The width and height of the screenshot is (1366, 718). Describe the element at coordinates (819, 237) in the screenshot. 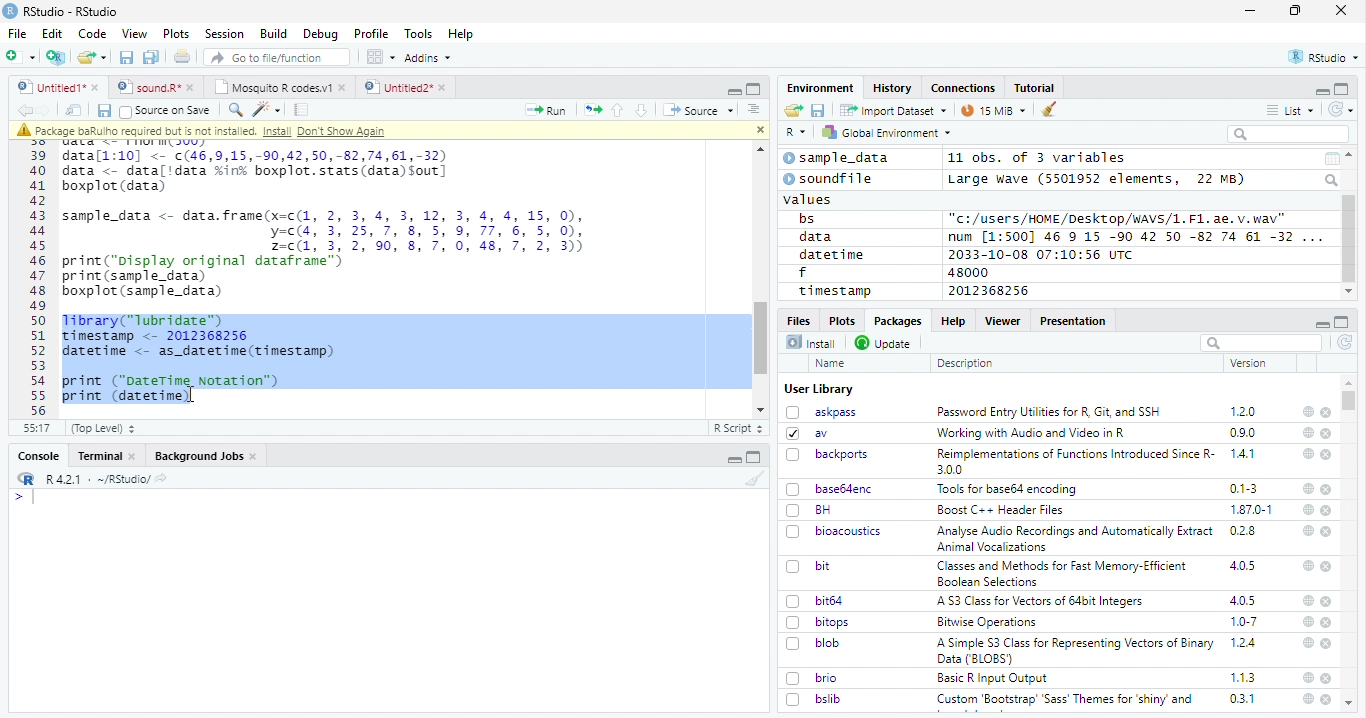

I see `data` at that location.